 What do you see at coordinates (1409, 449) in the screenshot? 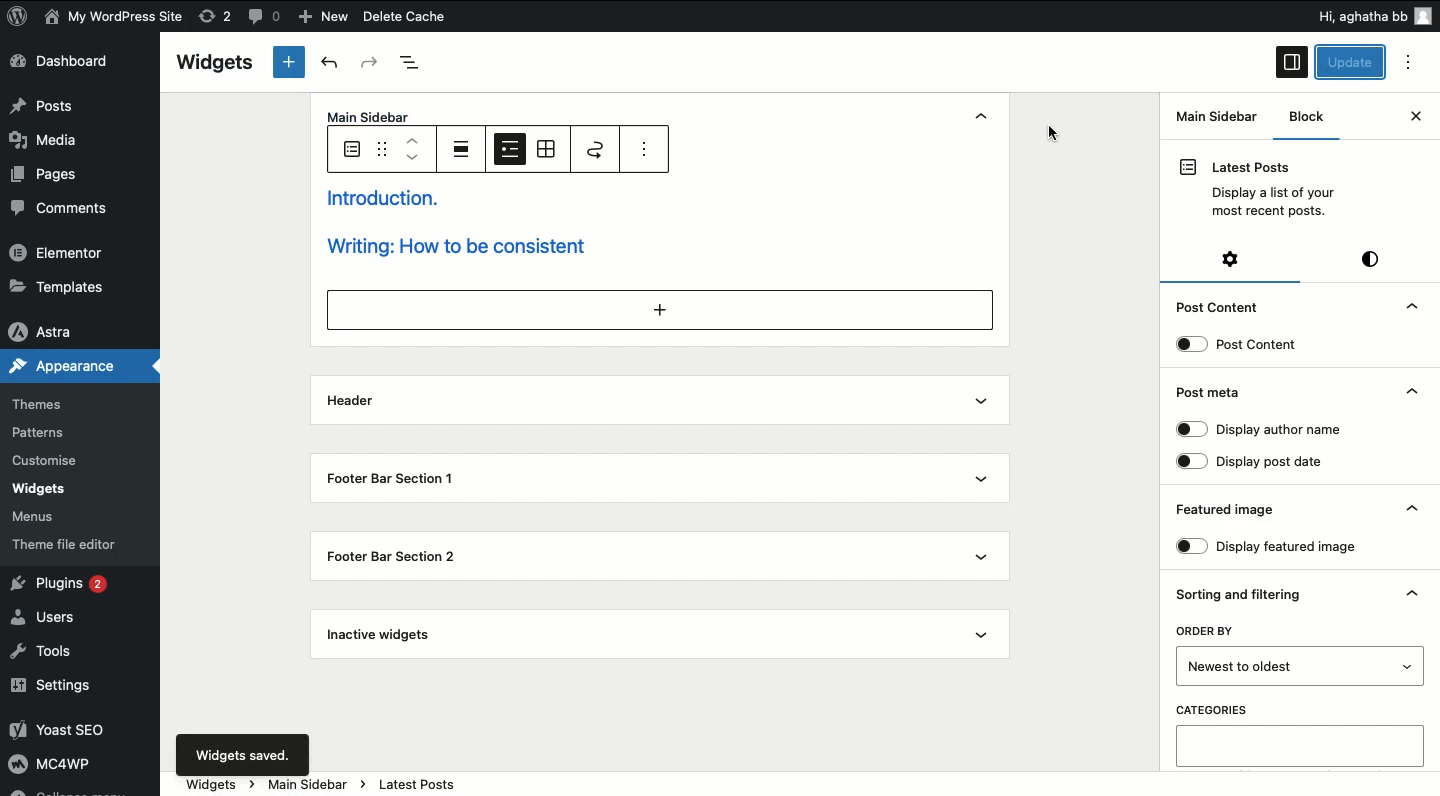
I see `Hide dropdown` at bounding box center [1409, 449].